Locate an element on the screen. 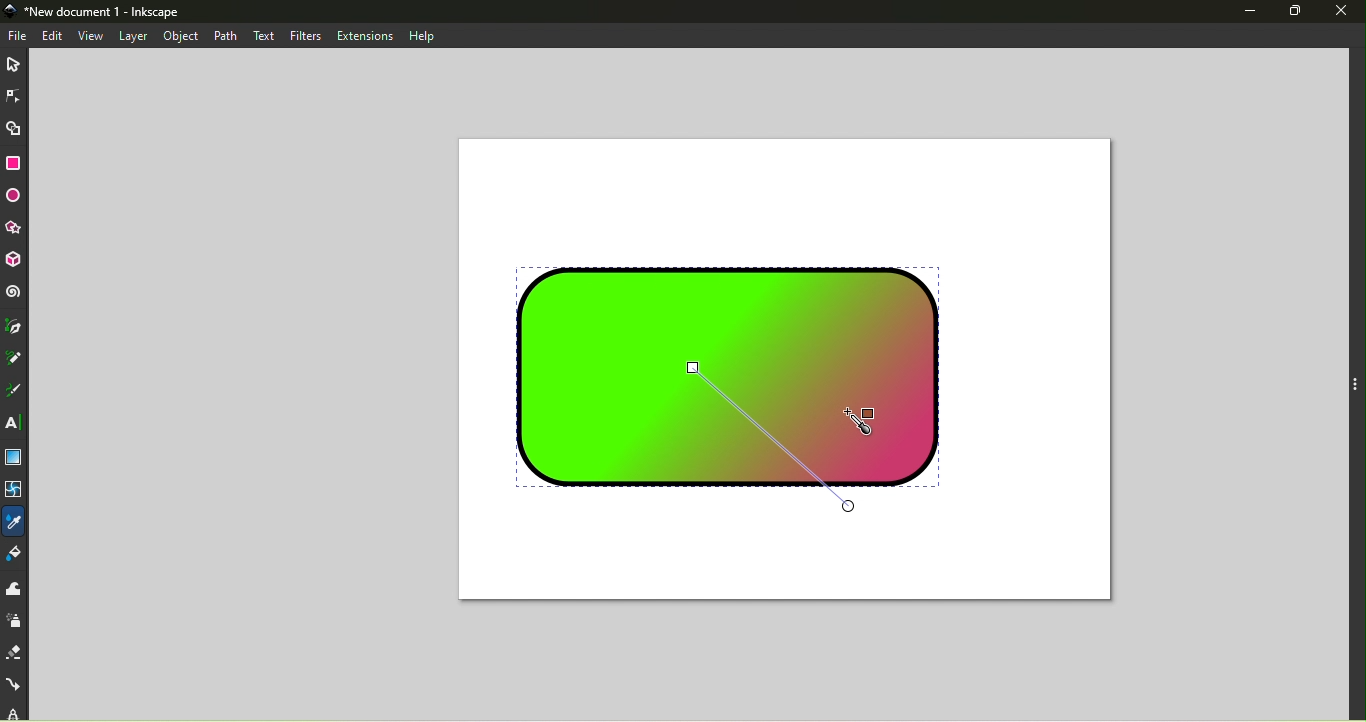  Gradient is located at coordinates (13, 458).